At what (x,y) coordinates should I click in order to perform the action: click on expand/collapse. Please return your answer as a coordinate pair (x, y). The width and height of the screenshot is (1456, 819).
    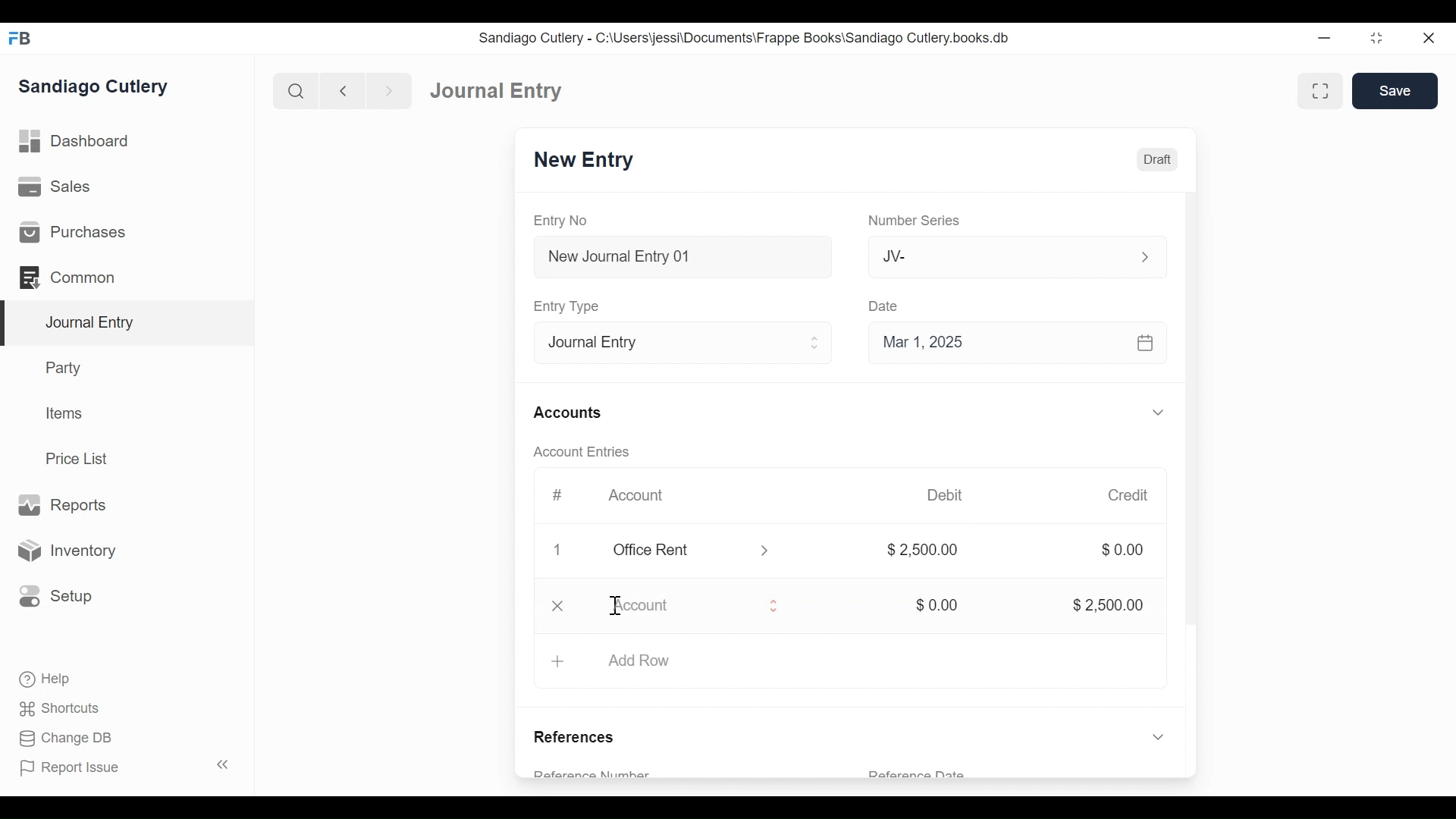
    Looking at the image, I should click on (1157, 412).